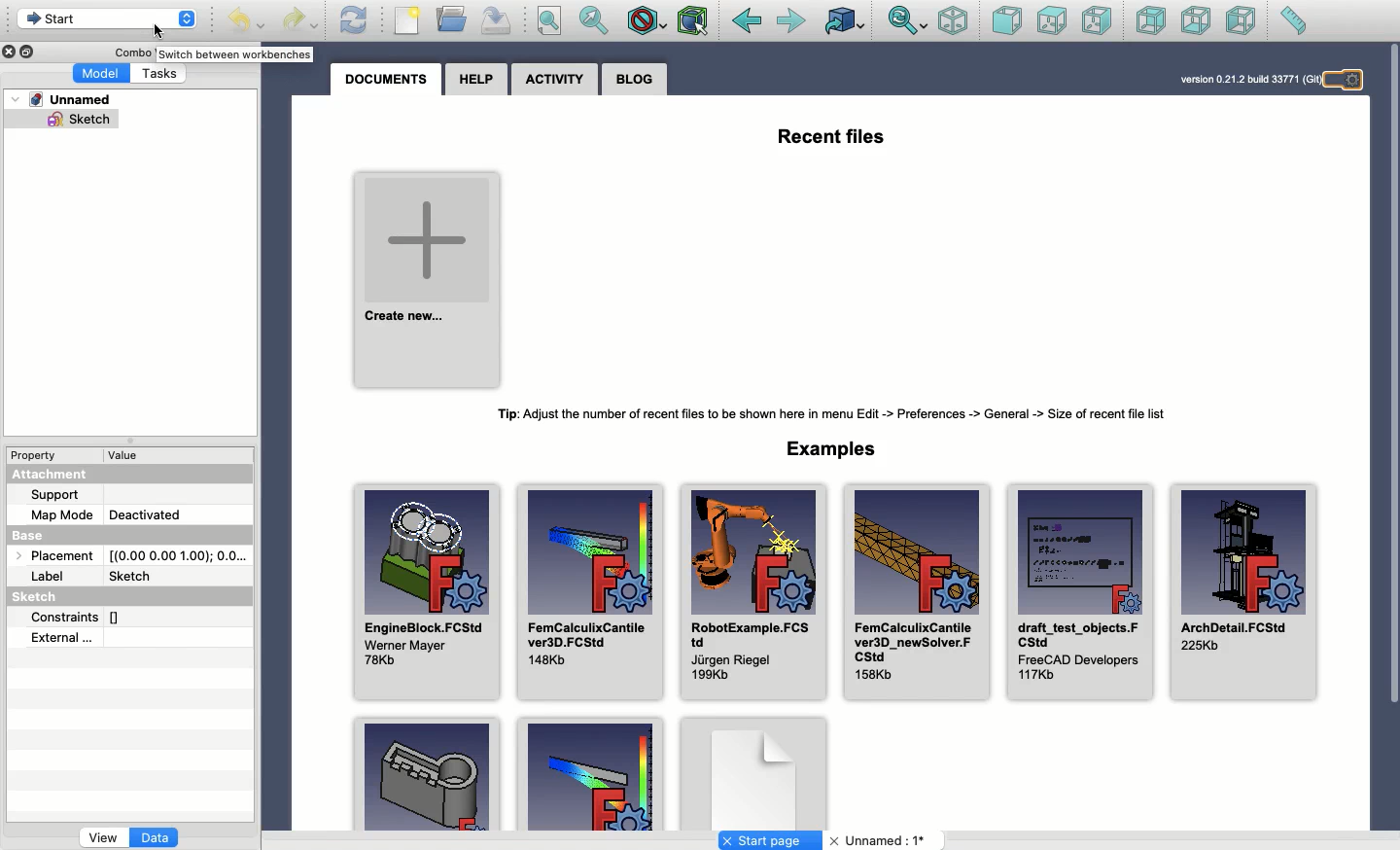  Describe the element at coordinates (132, 53) in the screenshot. I see `Combo` at that location.